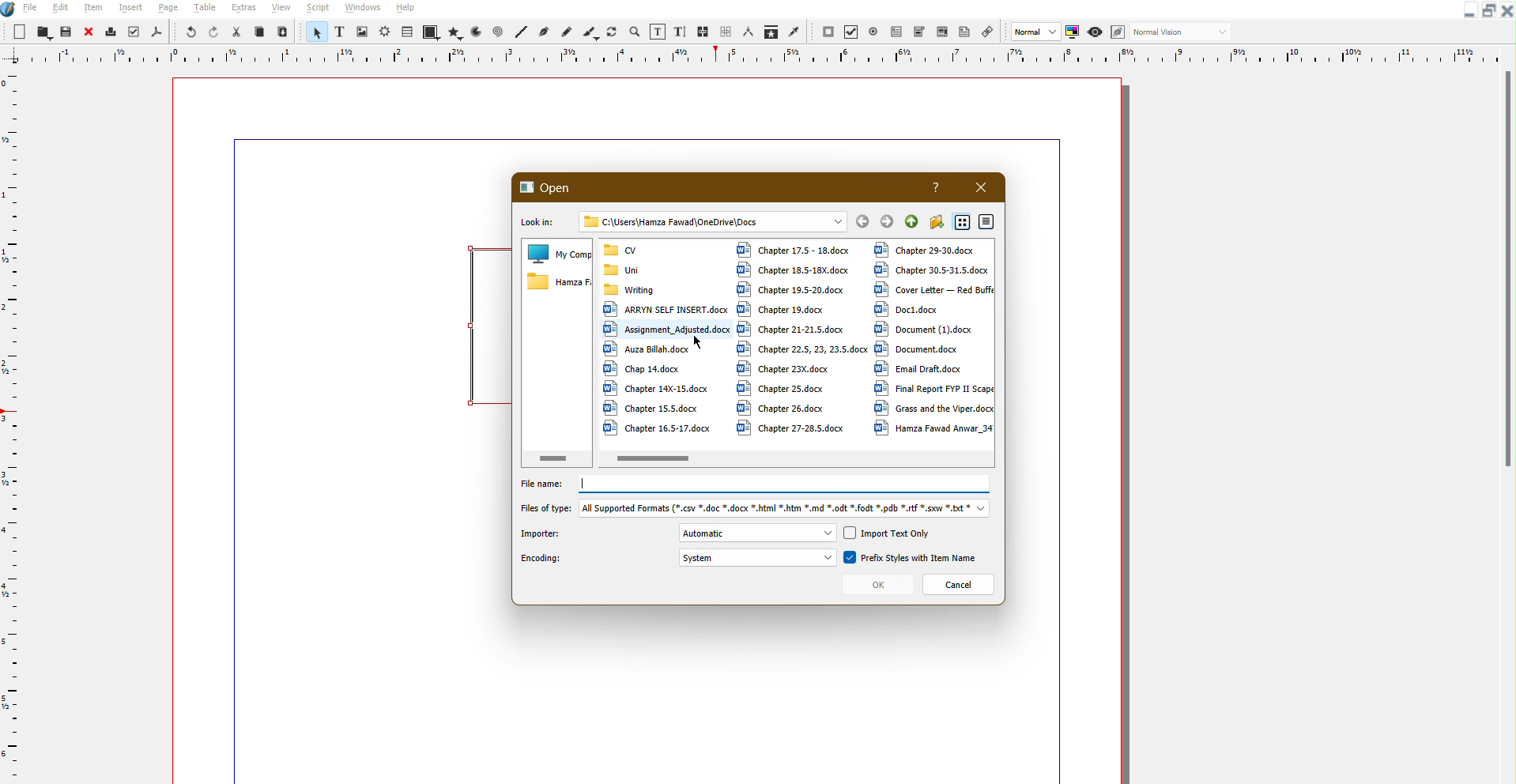 The height and width of the screenshot is (784, 1516). What do you see at coordinates (545, 189) in the screenshot?
I see `Open` at bounding box center [545, 189].